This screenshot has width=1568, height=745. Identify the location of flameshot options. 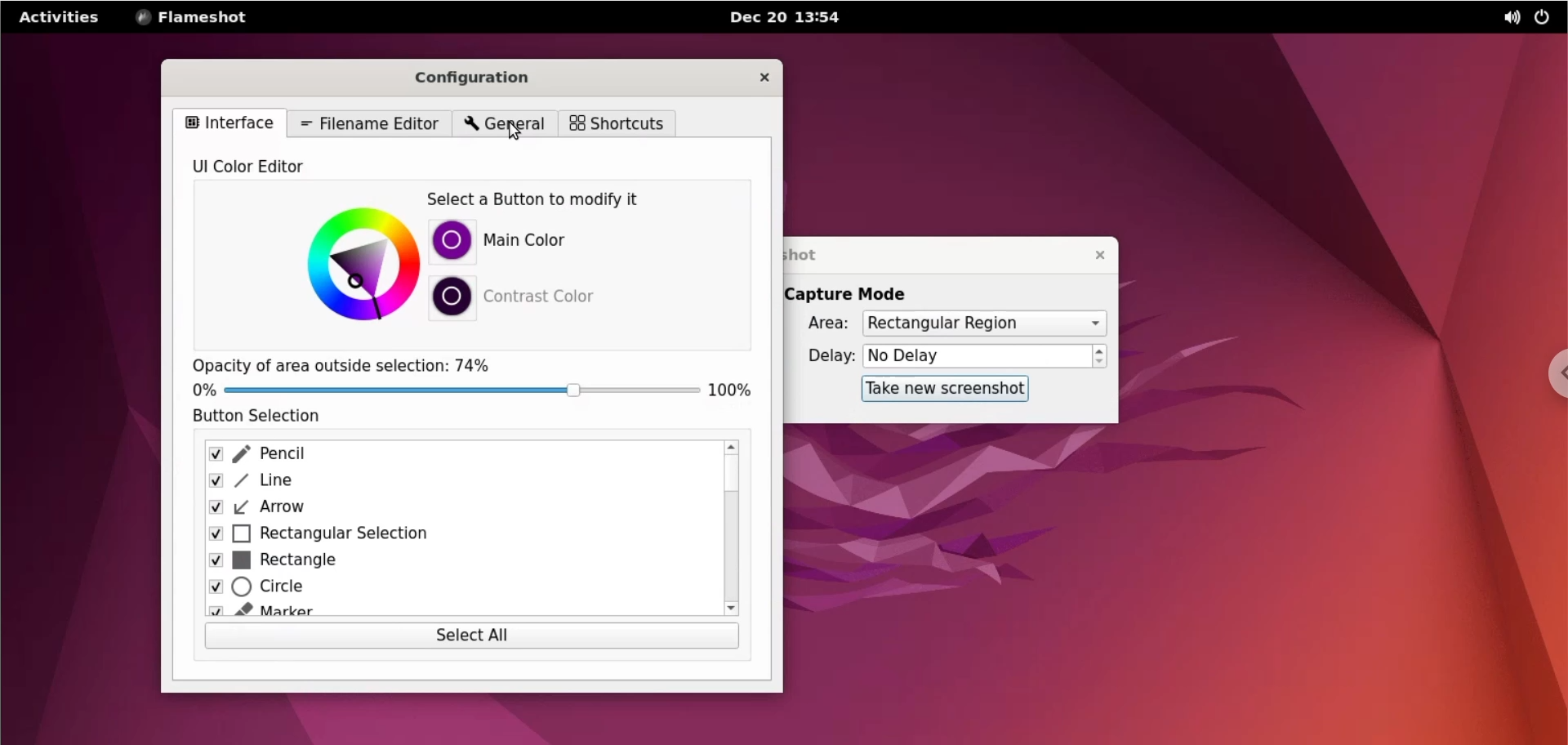
(198, 16).